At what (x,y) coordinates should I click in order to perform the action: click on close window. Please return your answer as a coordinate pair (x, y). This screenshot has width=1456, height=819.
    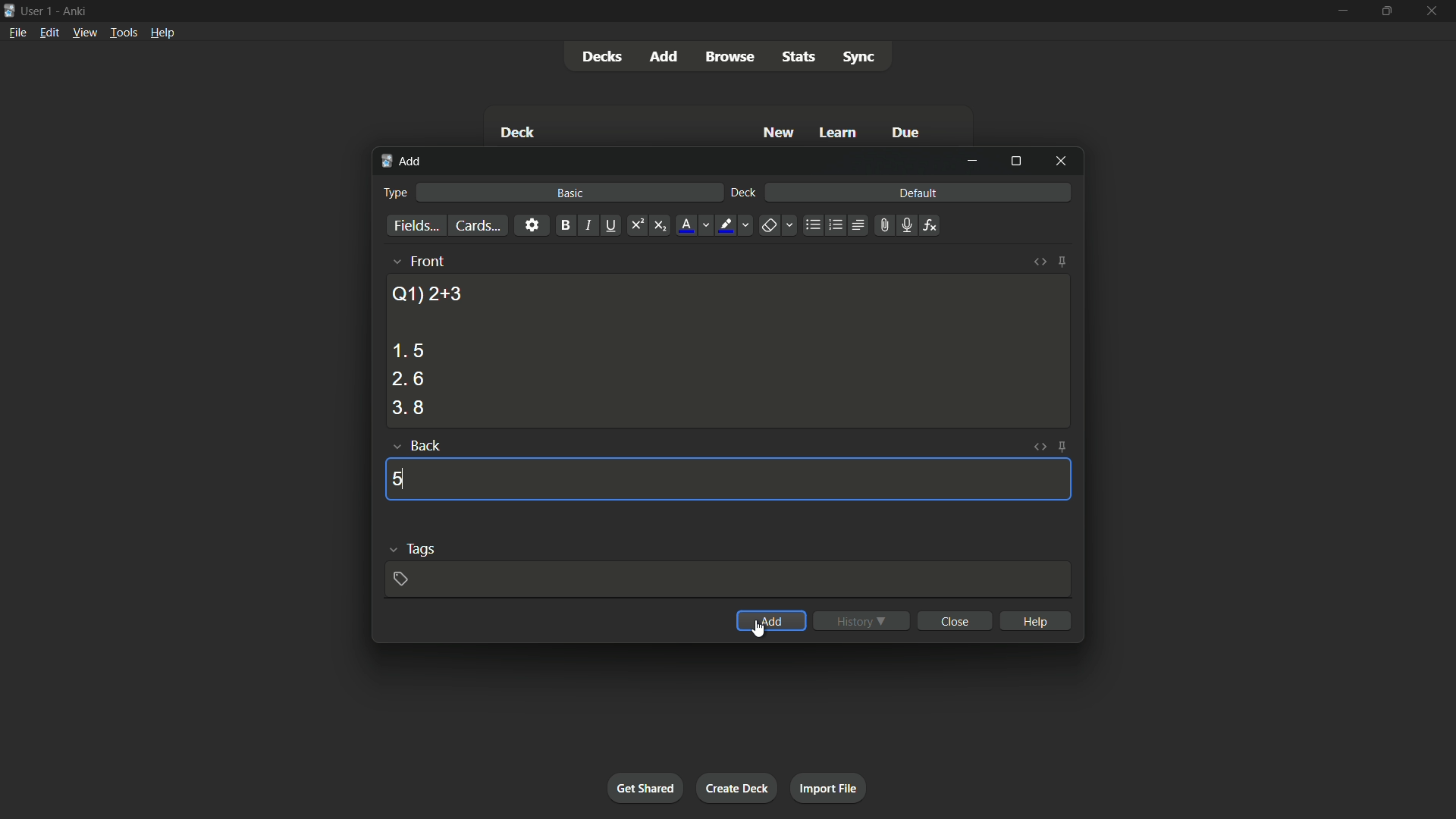
    Looking at the image, I should click on (1062, 160).